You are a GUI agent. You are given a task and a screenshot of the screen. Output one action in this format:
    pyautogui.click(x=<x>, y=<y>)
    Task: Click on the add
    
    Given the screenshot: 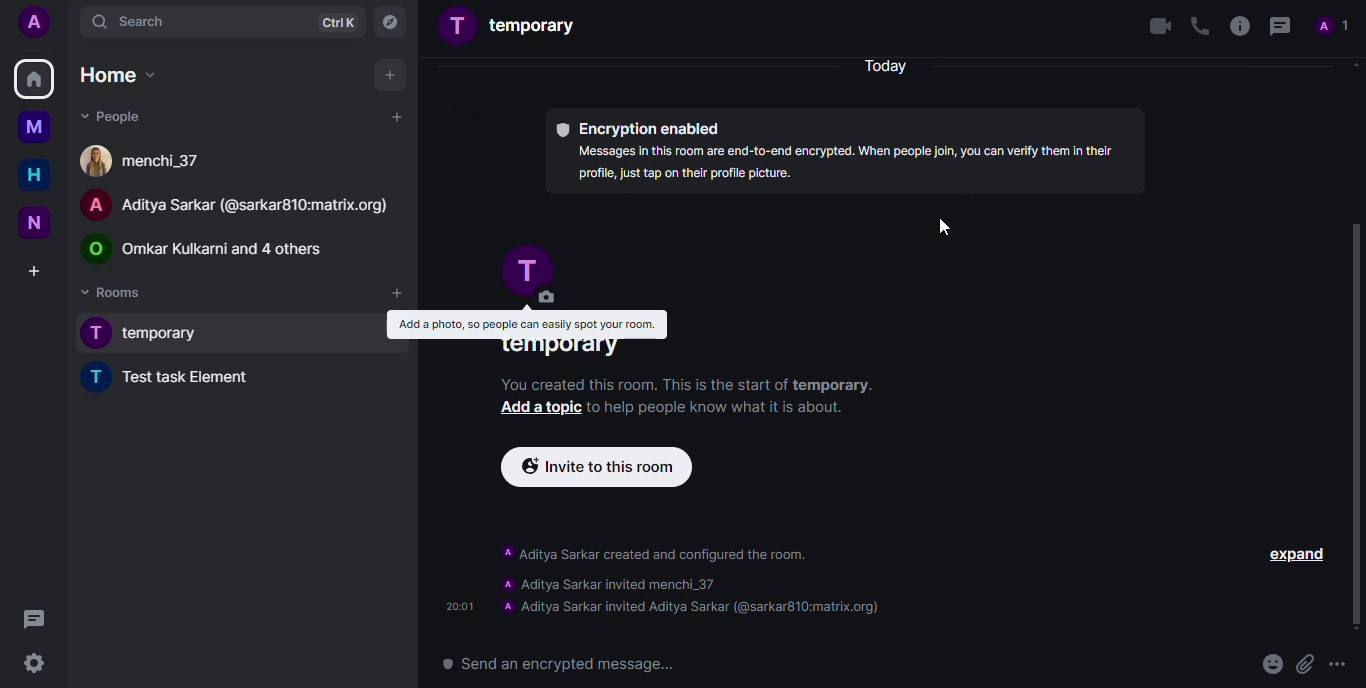 What is the action you would take?
    pyautogui.click(x=396, y=116)
    